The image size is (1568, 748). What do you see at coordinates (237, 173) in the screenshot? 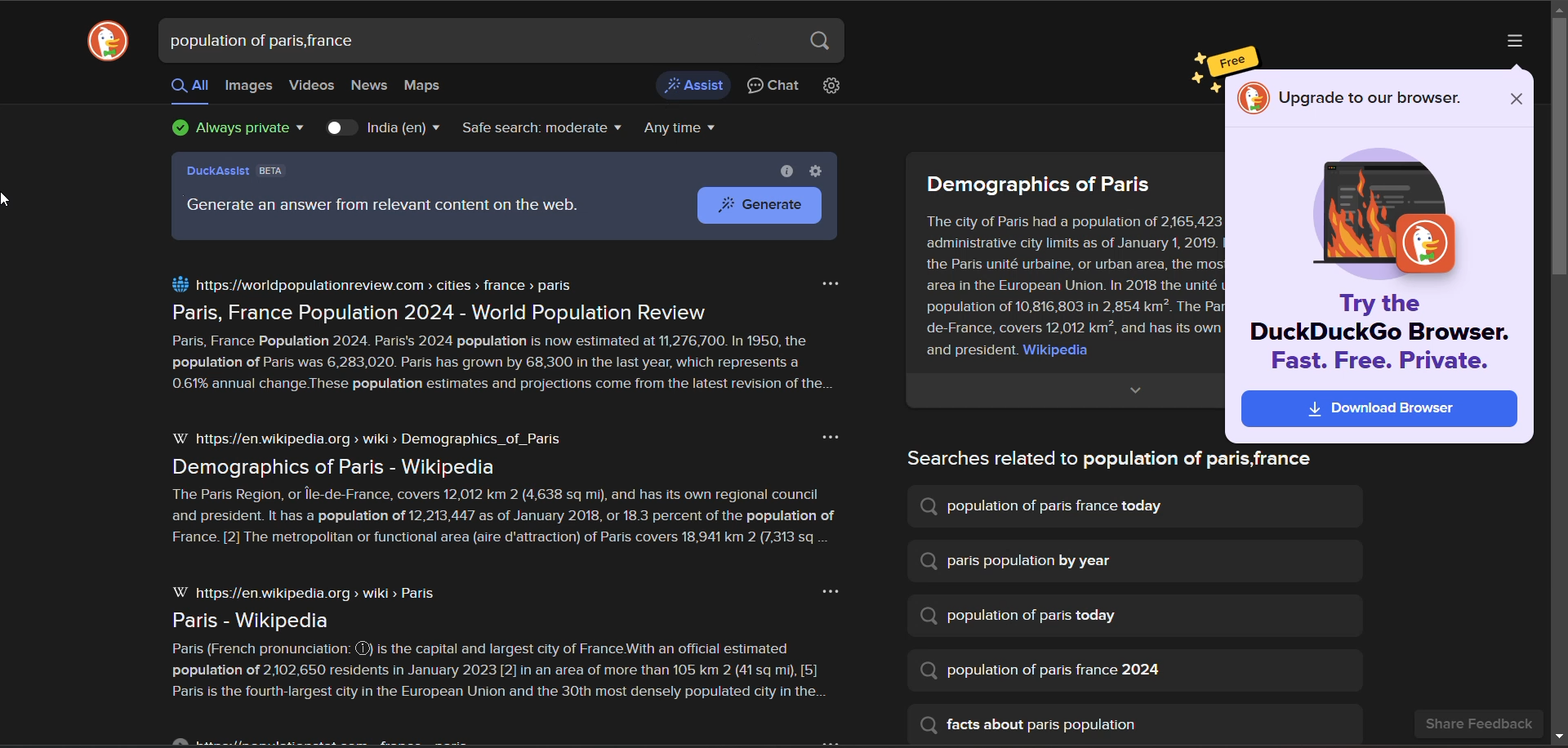
I see `DuckAssist BETA` at bounding box center [237, 173].